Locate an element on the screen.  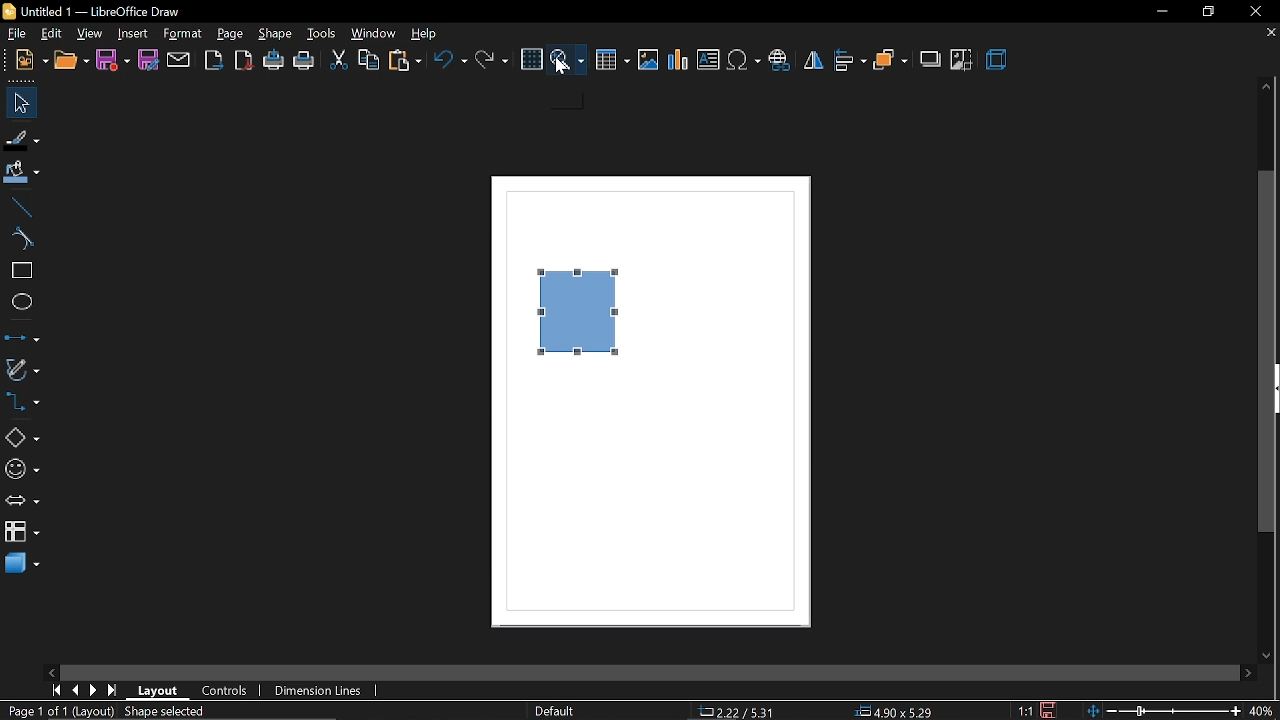
vertical scrollbar is located at coordinates (1266, 354).